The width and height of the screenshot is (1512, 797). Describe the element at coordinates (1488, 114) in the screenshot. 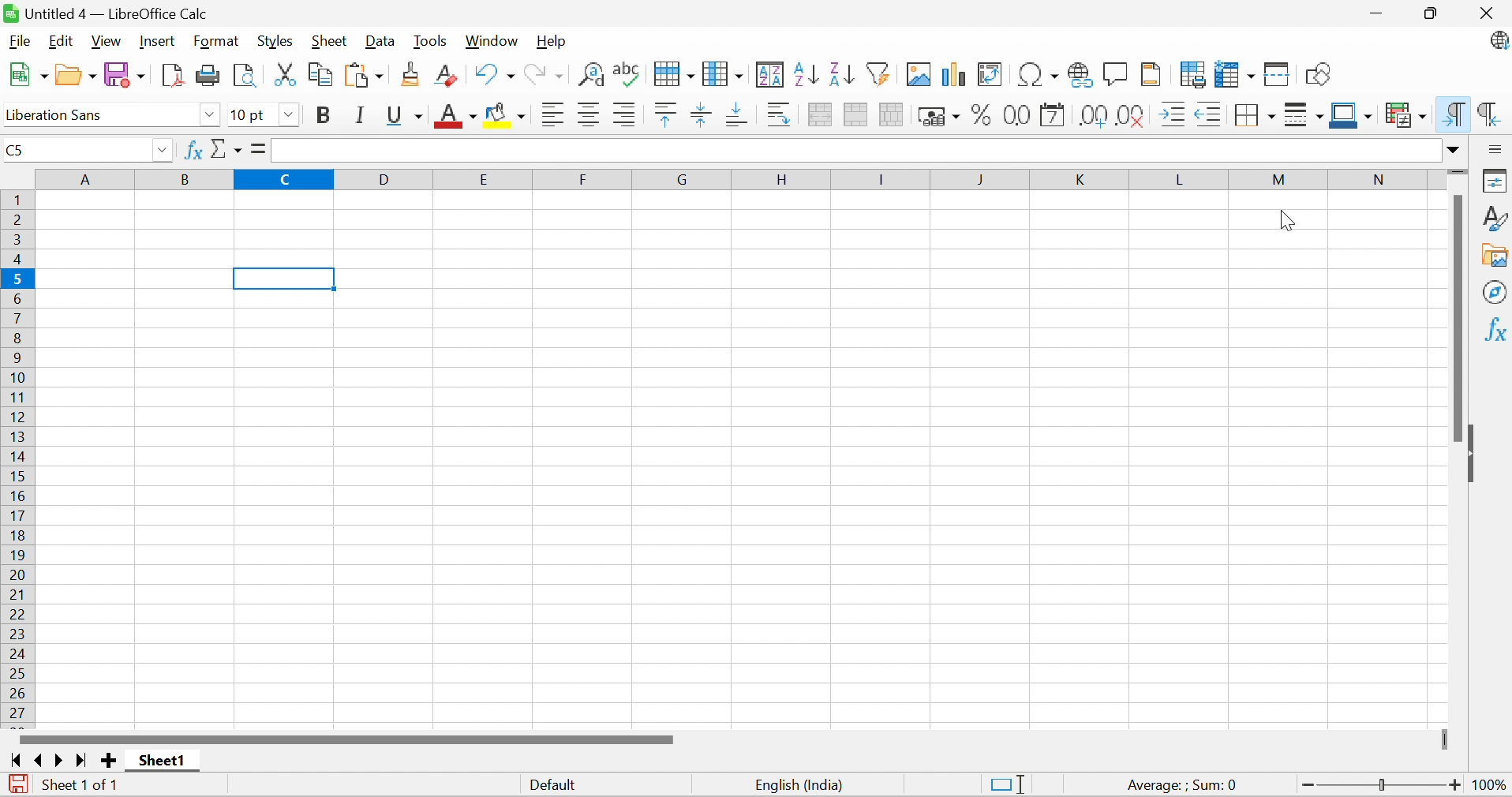

I see `Right-to-left` at that location.